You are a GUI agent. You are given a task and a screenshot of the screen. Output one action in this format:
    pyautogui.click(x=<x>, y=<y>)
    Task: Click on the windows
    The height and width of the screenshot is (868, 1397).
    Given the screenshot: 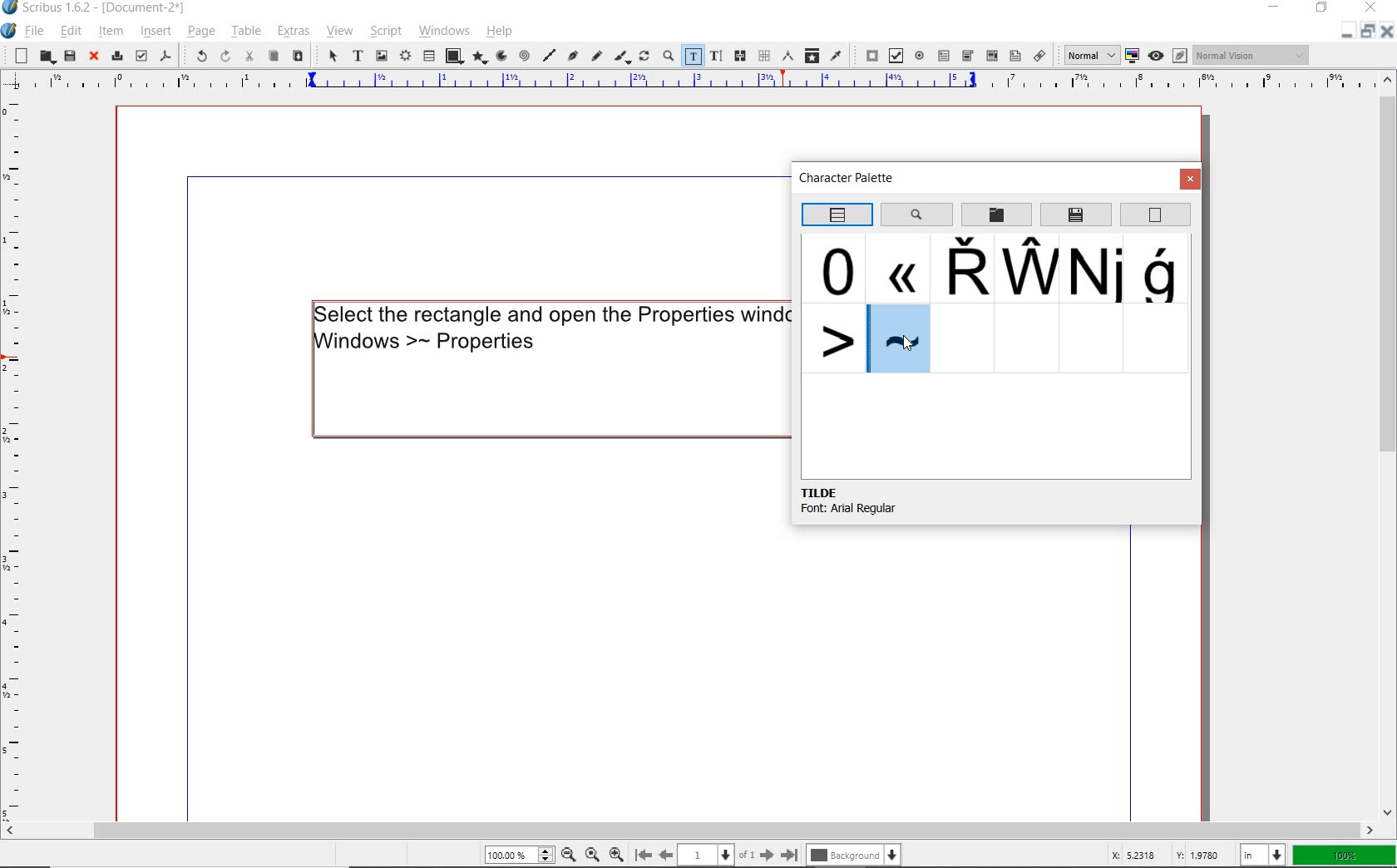 What is the action you would take?
    pyautogui.click(x=444, y=31)
    